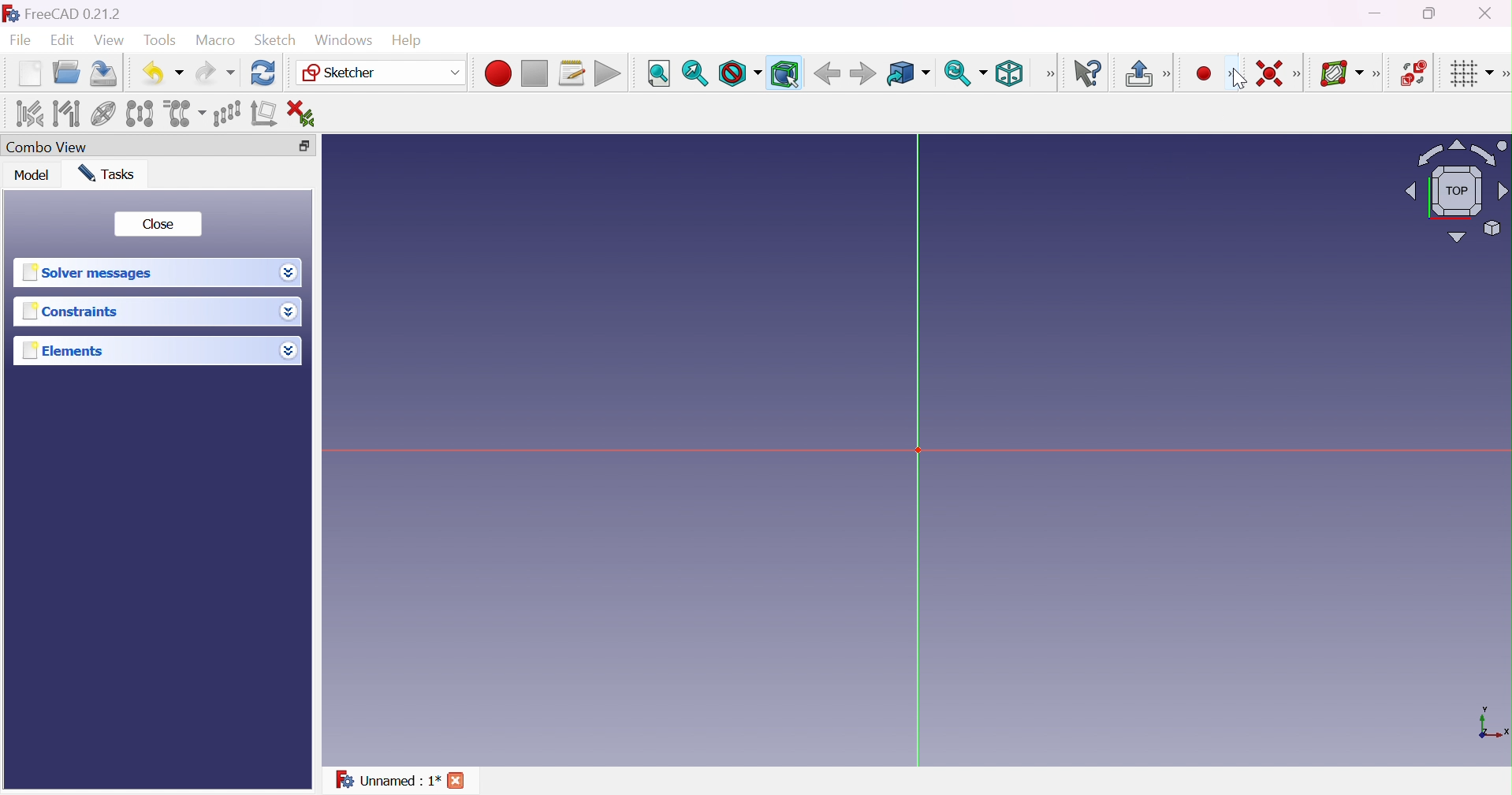 The width and height of the screenshot is (1512, 795). I want to click on Rectangular array, so click(225, 113).